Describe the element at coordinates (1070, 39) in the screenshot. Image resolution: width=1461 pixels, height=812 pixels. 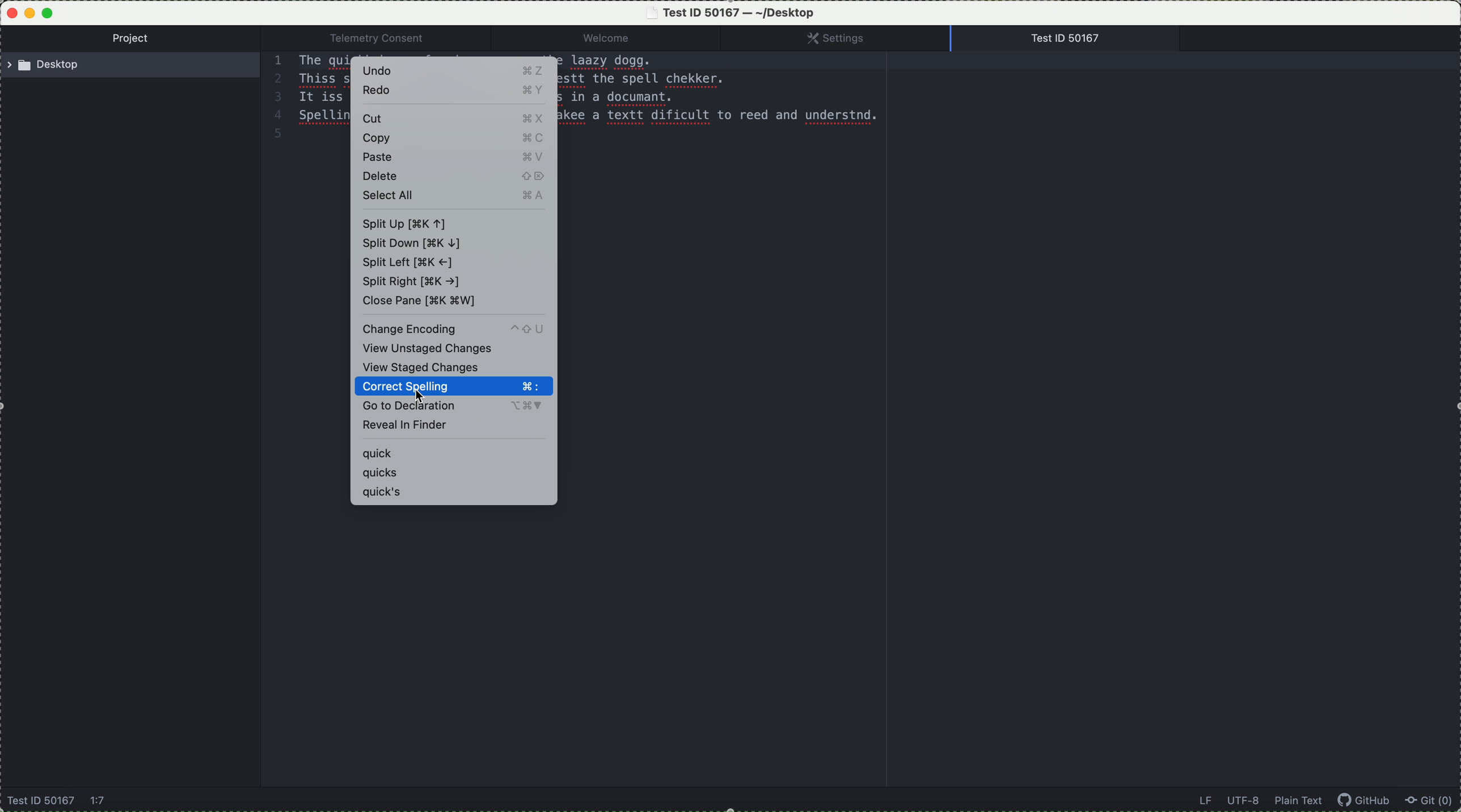
I see `open file` at that location.